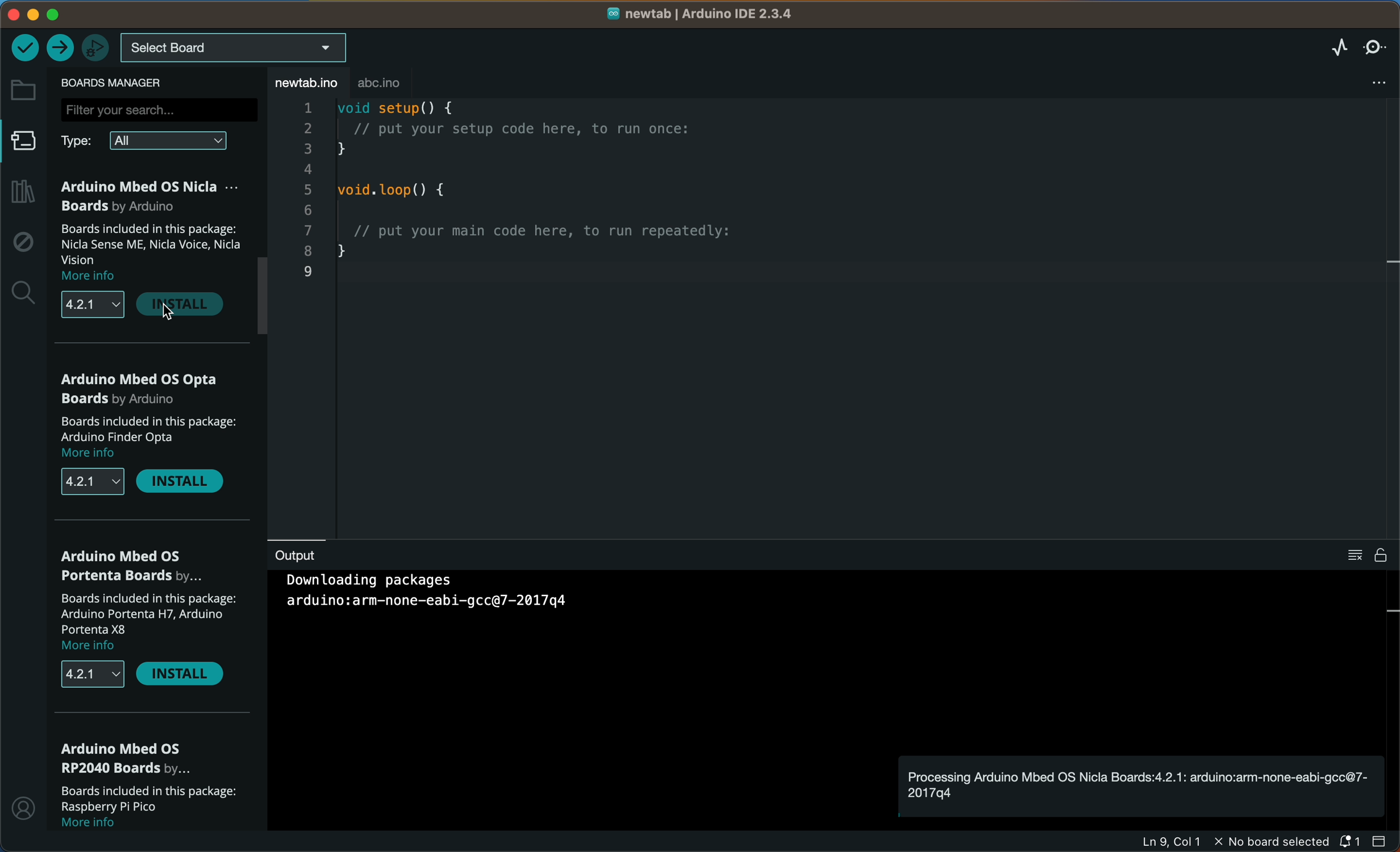  What do you see at coordinates (327, 555) in the screenshot?
I see `output` at bounding box center [327, 555].